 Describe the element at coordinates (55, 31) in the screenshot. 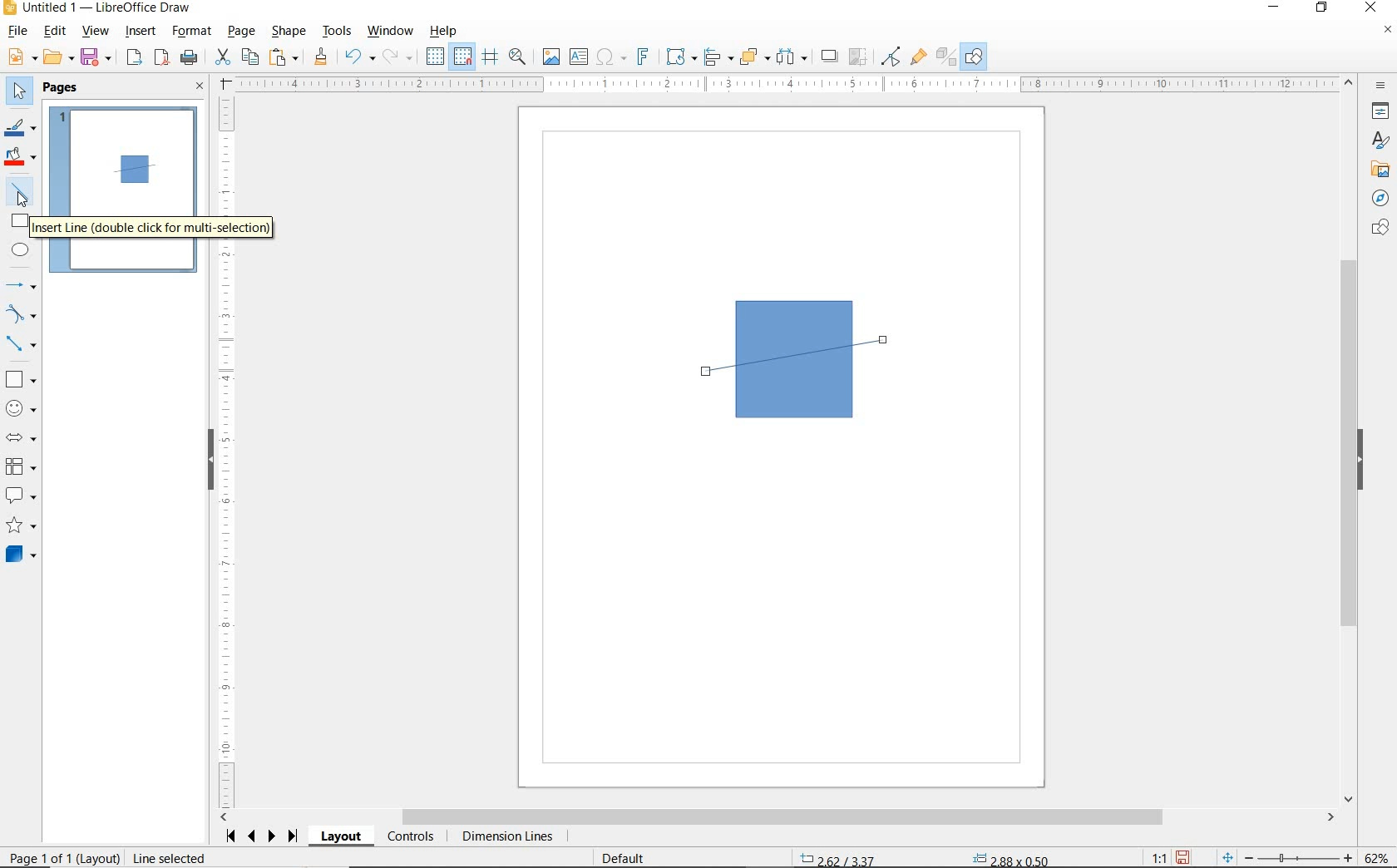

I see `EDIT` at that location.